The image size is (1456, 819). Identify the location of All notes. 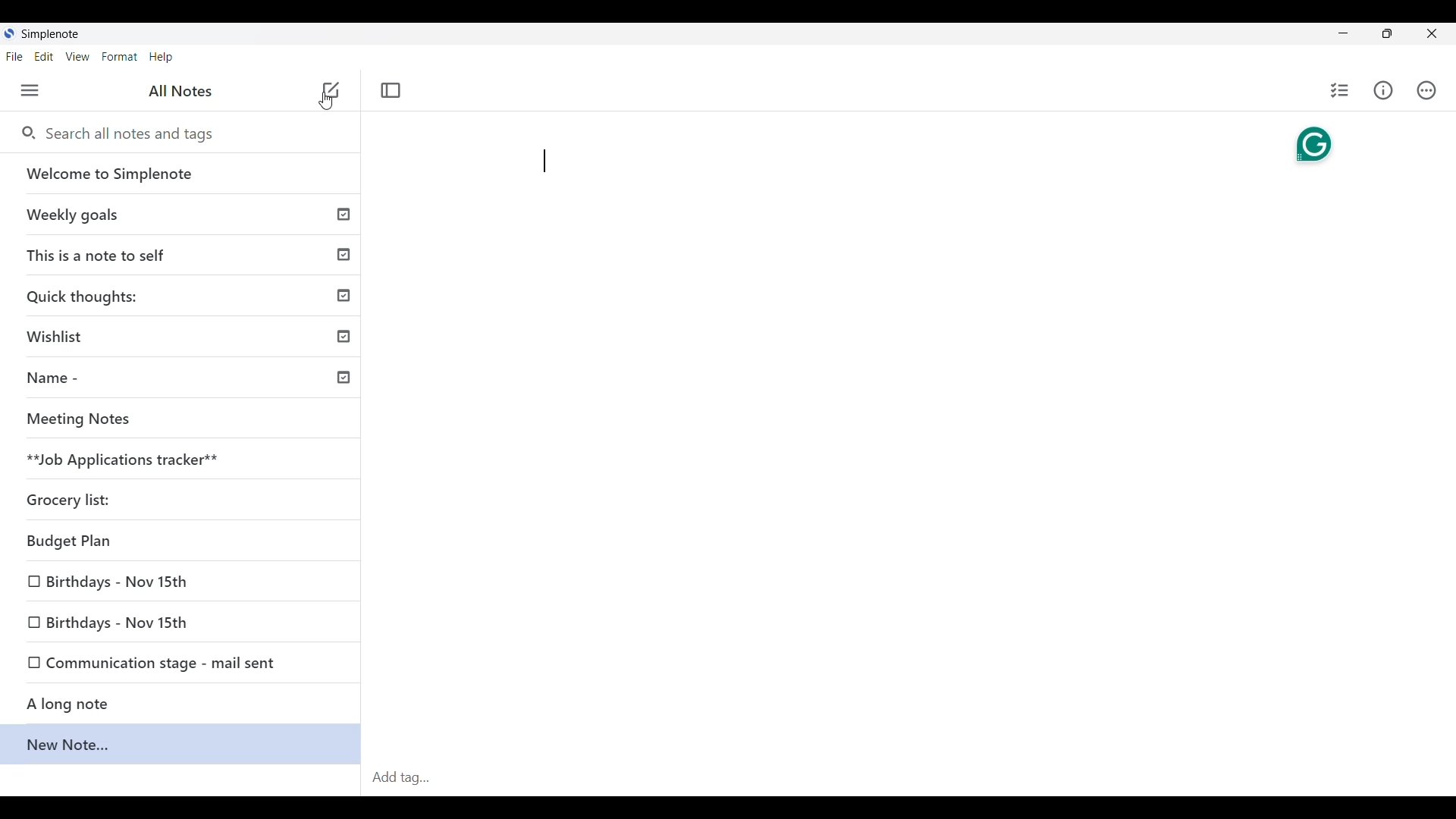
(180, 90).